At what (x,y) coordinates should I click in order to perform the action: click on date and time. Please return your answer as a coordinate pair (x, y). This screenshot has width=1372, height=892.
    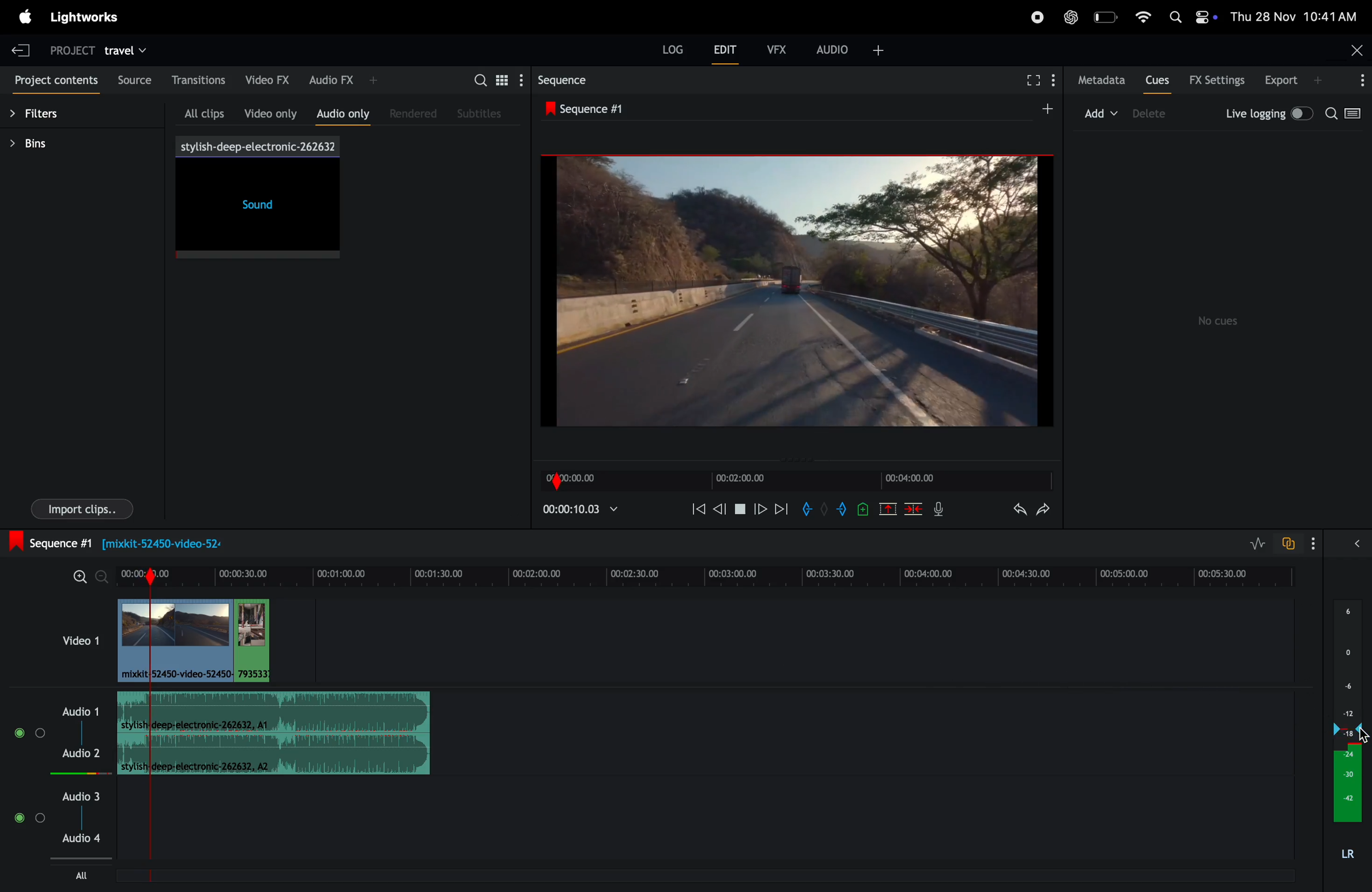
    Looking at the image, I should click on (1294, 16).